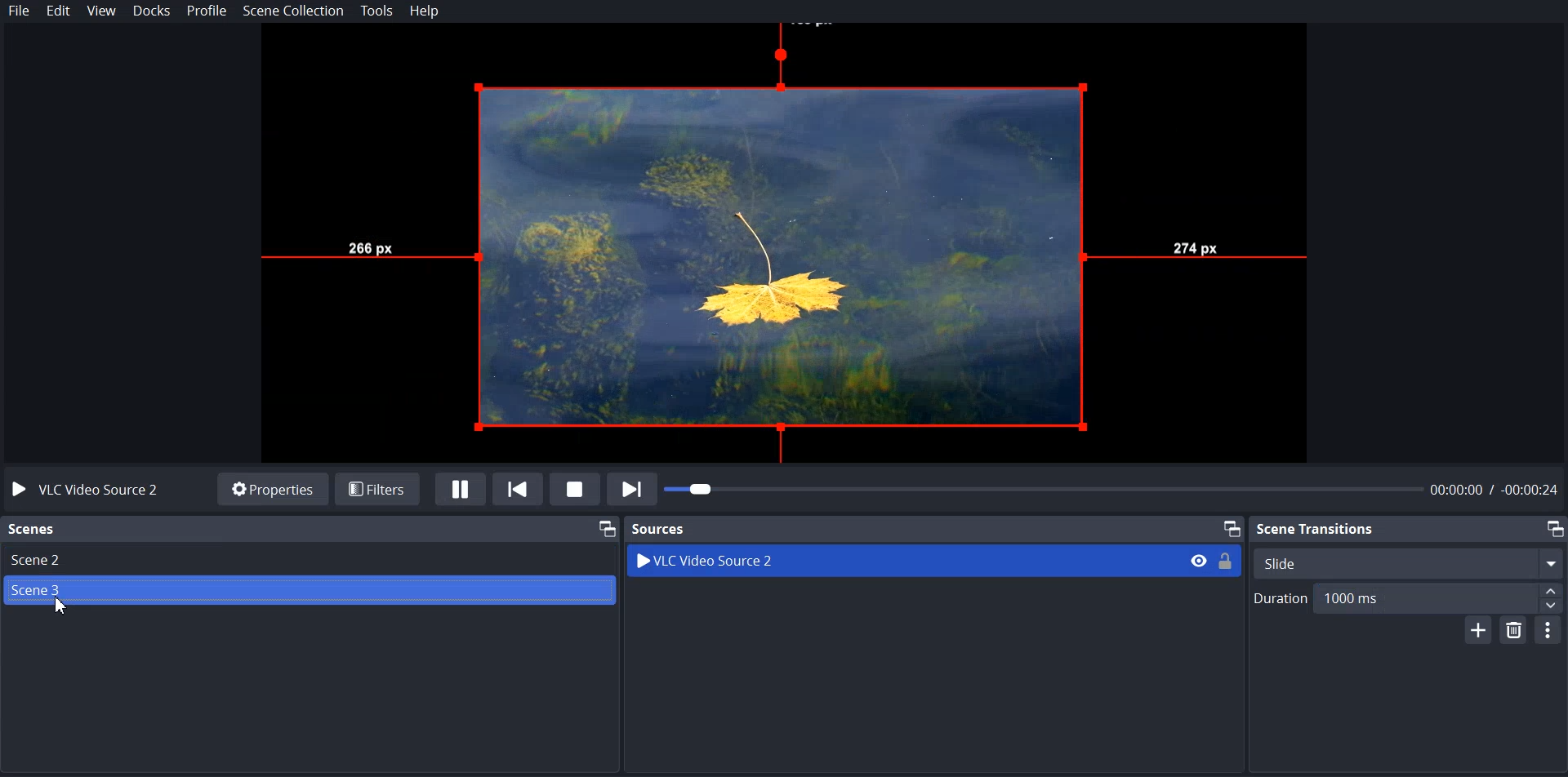 The height and width of the screenshot is (777, 1568). Describe the element at coordinates (1410, 562) in the screenshot. I see `Select Scene Transition` at that location.